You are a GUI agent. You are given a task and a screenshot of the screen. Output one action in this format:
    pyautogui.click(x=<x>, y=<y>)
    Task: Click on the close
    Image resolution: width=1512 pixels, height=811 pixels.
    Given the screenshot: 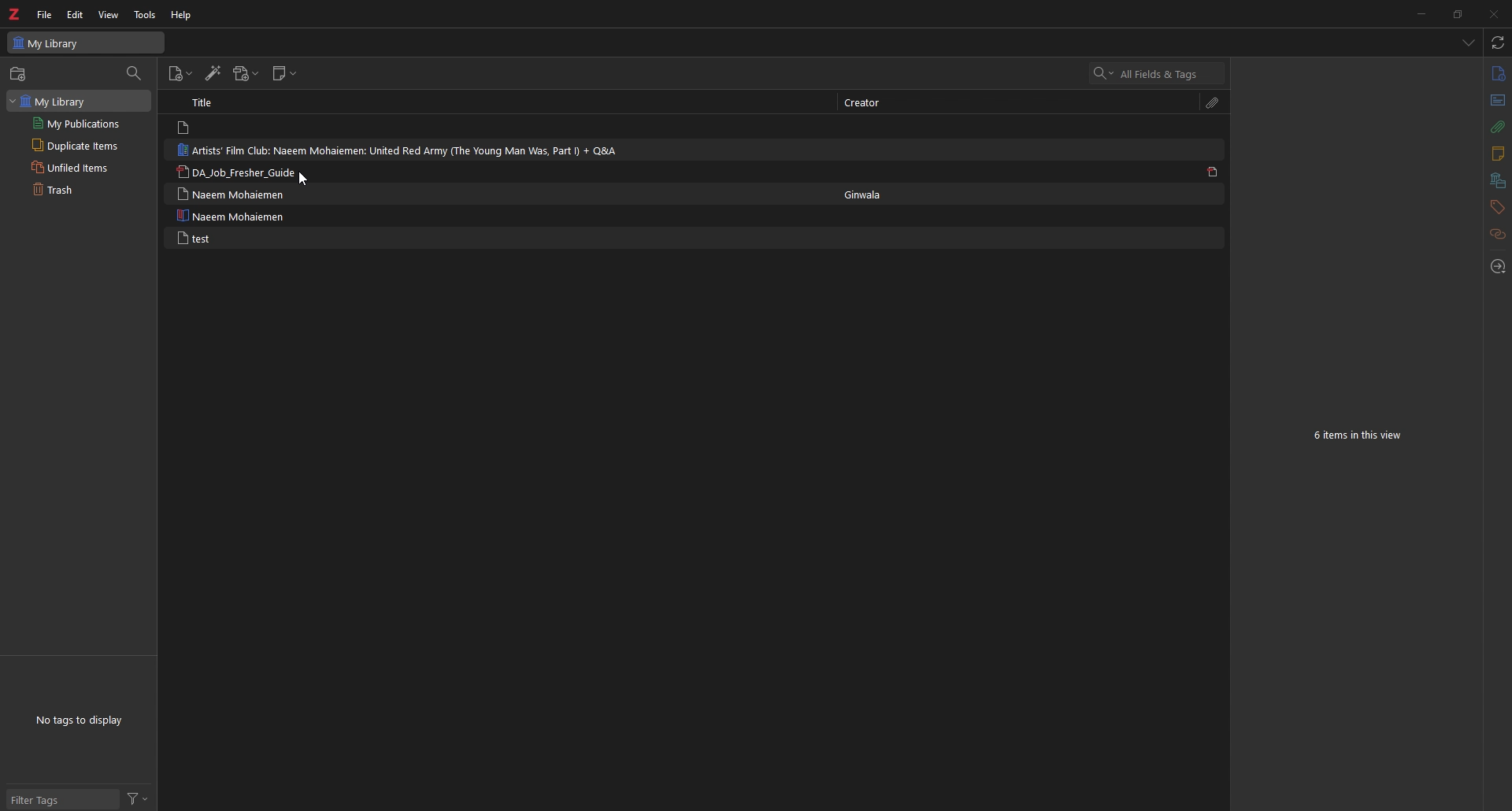 What is the action you would take?
    pyautogui.click(x=1493, y=14)
    